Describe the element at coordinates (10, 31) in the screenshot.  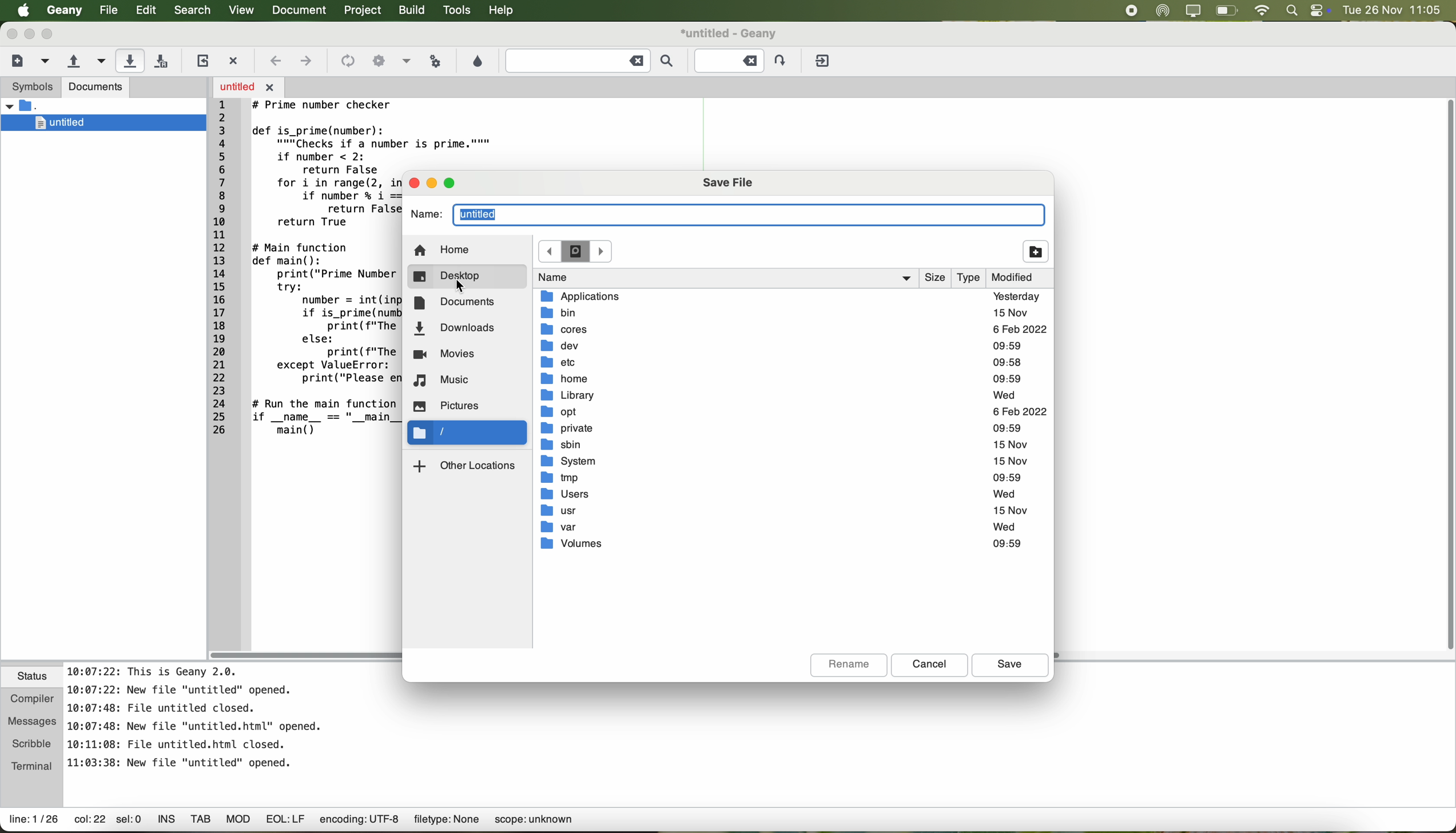
I see `close Geany` at that location.